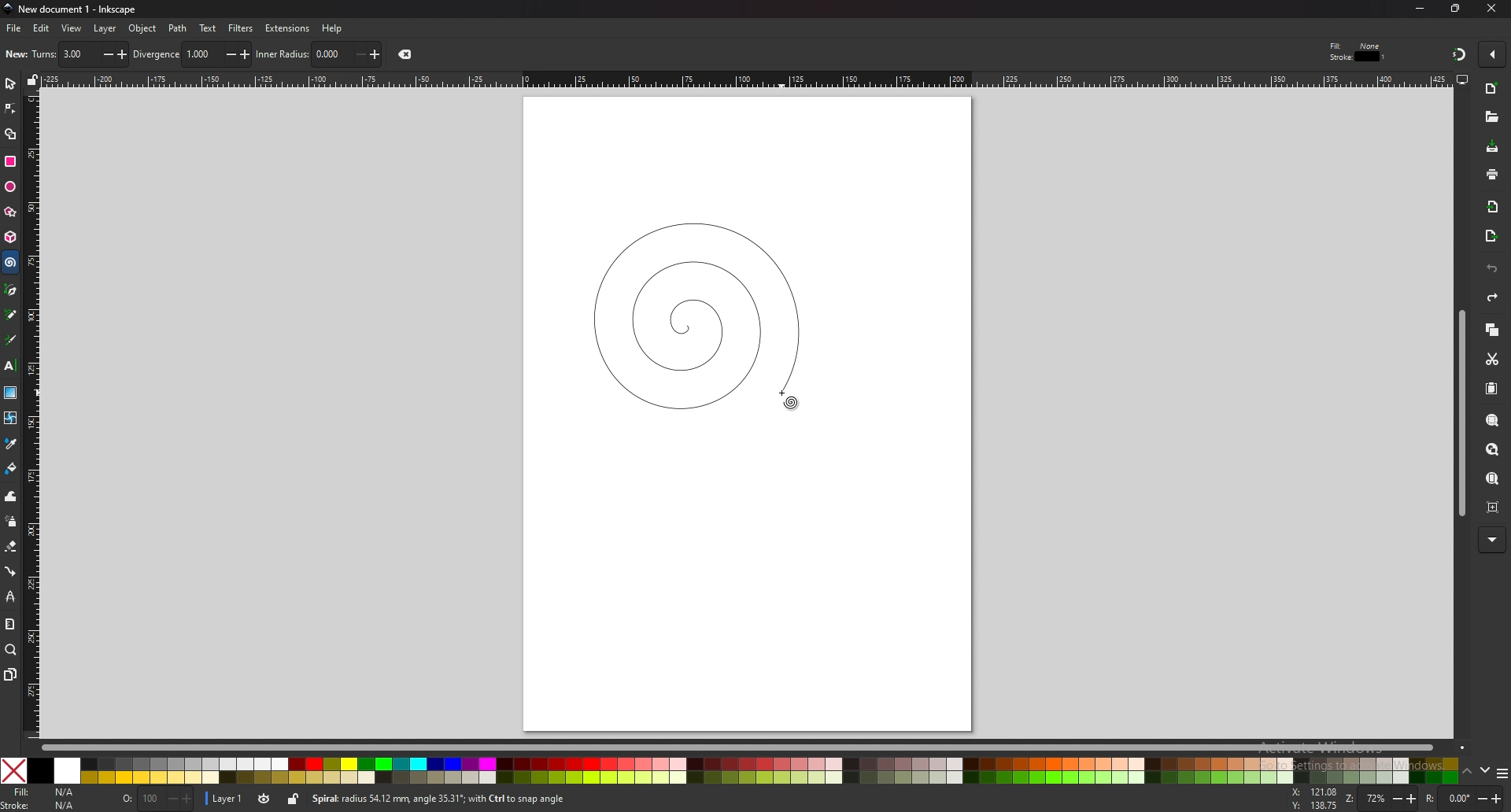 The height and width of the screenshot is (812, 1511). What do you see at coordinates (178, 28) in the screenshot?
I see `path` at bounding box center [178, 28].